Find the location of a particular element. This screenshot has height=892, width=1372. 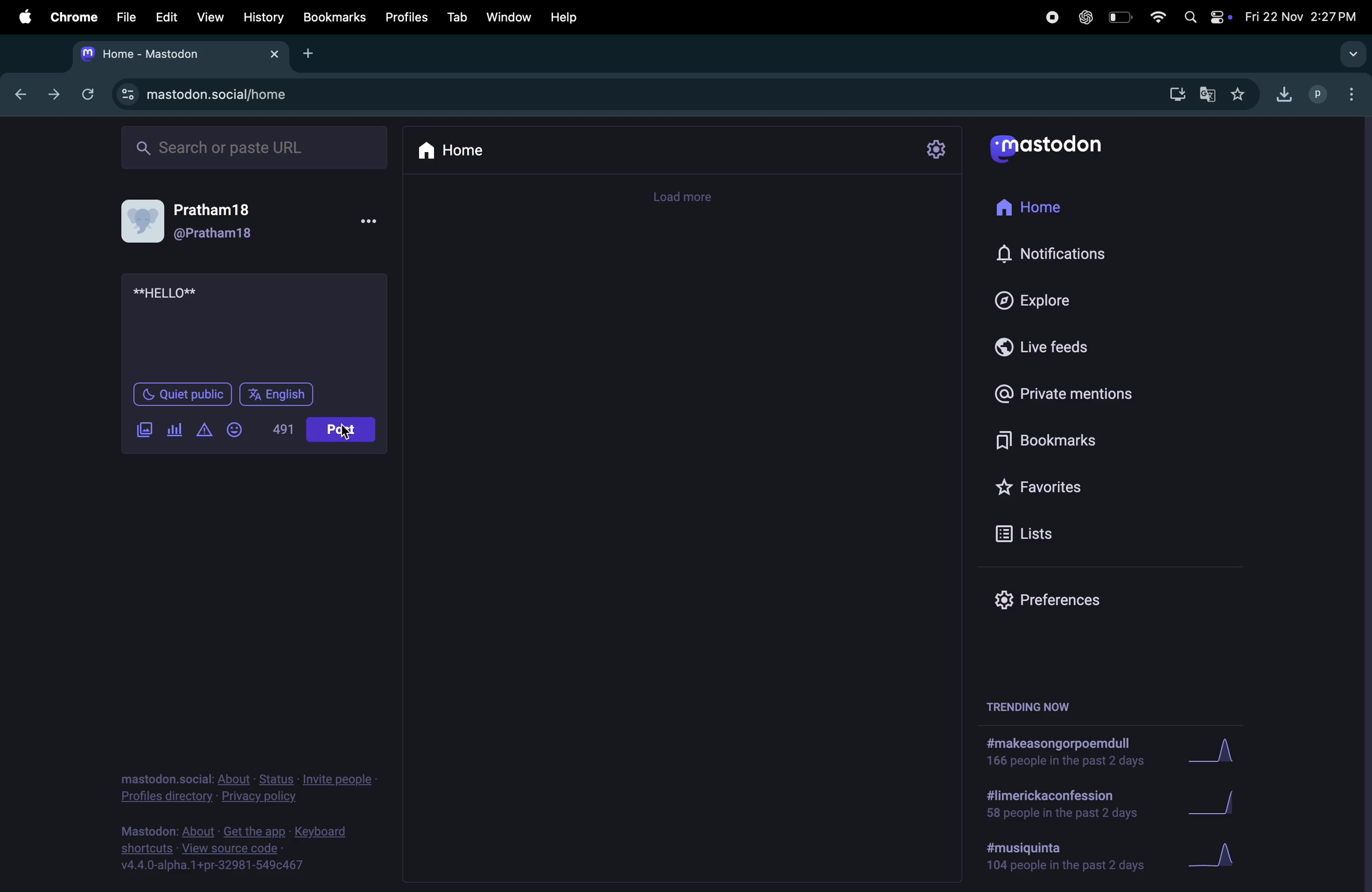

cursor is located at coordinates (359, 435).